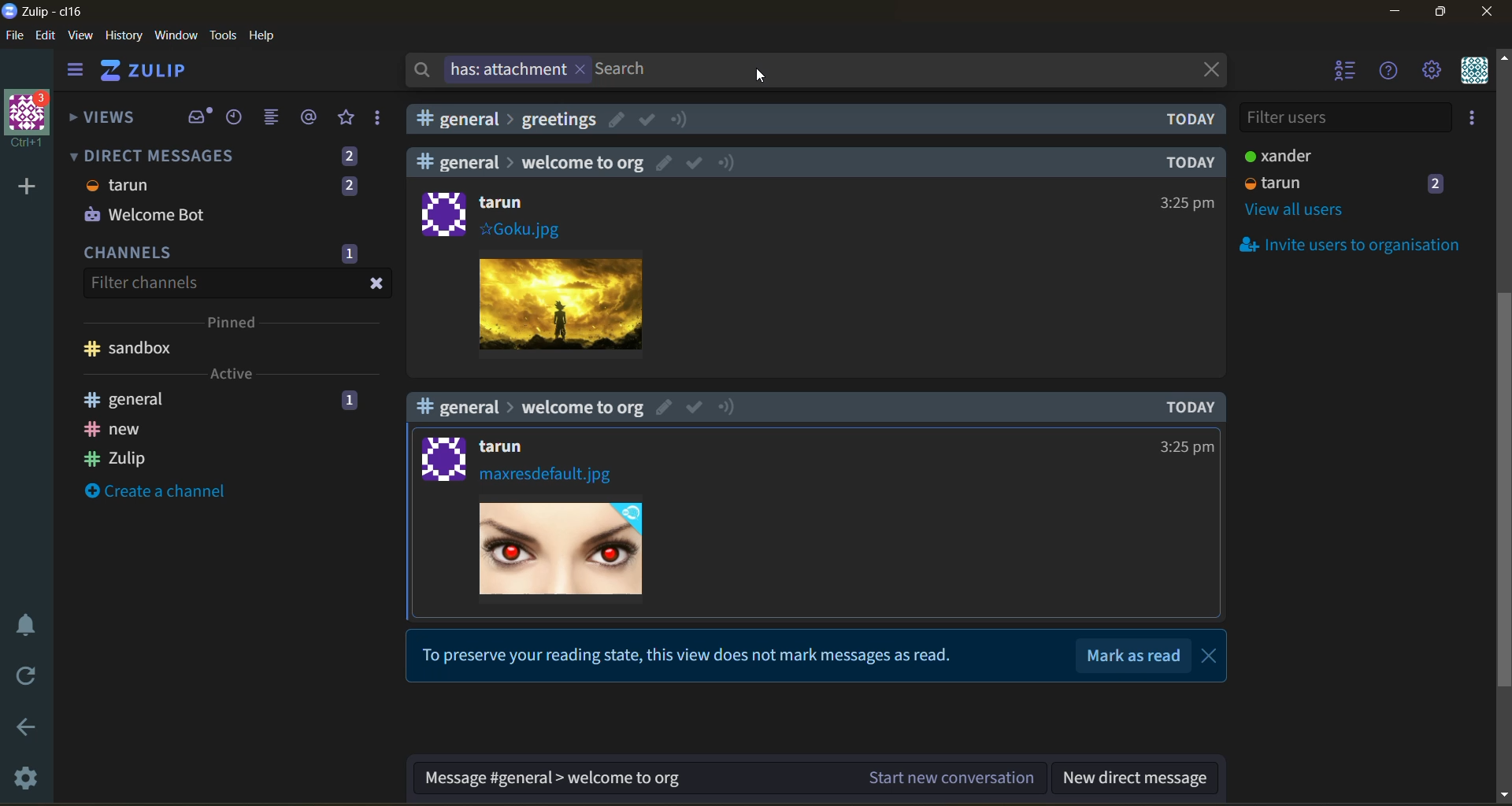 This screenshot has width=1512, height=806. I want to click on # general > welcome to org, so click(531, 162).